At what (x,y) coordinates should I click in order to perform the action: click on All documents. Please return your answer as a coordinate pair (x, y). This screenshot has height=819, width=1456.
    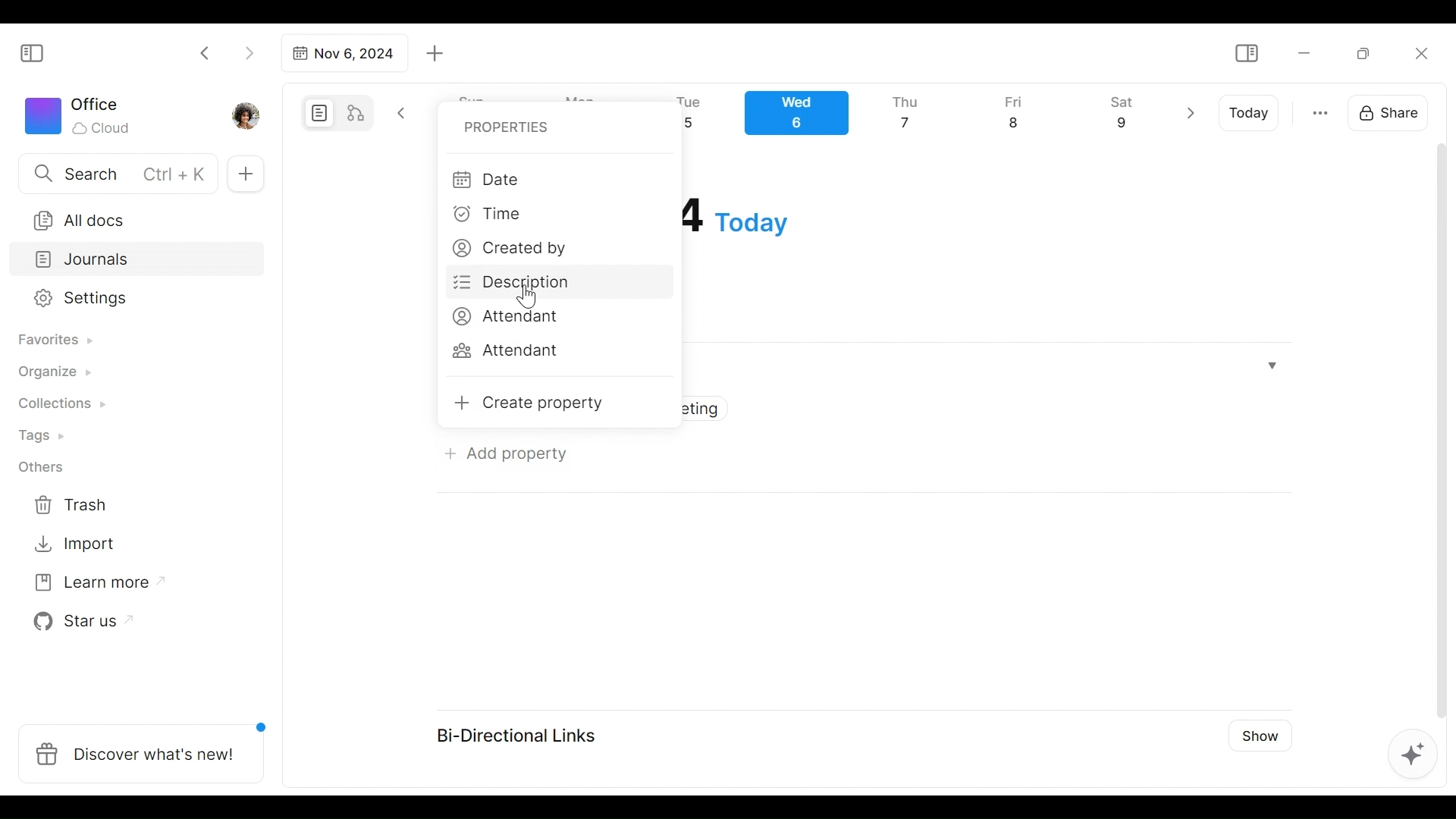
    Looking at the image, I should click on (131, 218).